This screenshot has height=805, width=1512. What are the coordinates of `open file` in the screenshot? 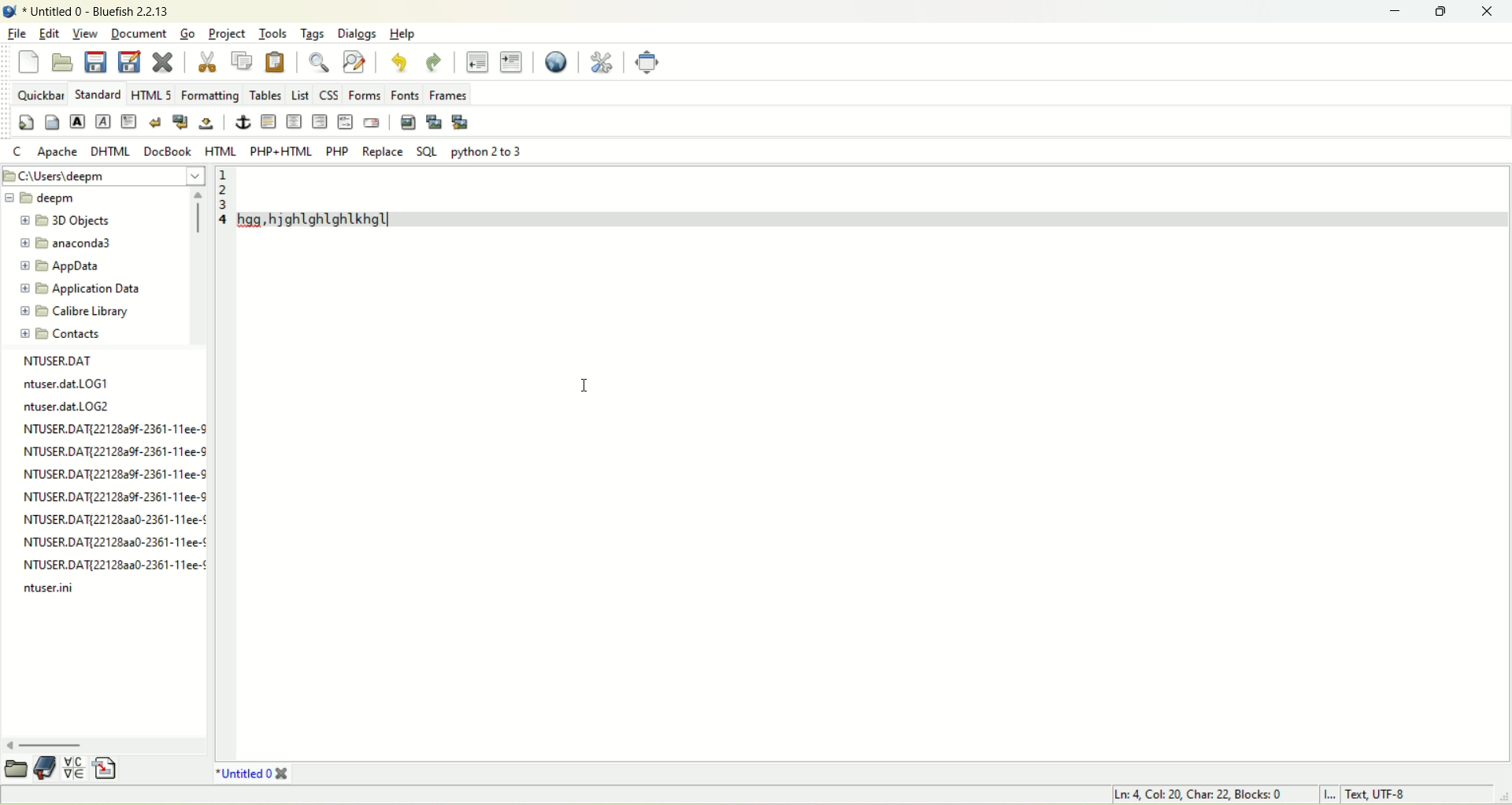 It's located at (65, 61).